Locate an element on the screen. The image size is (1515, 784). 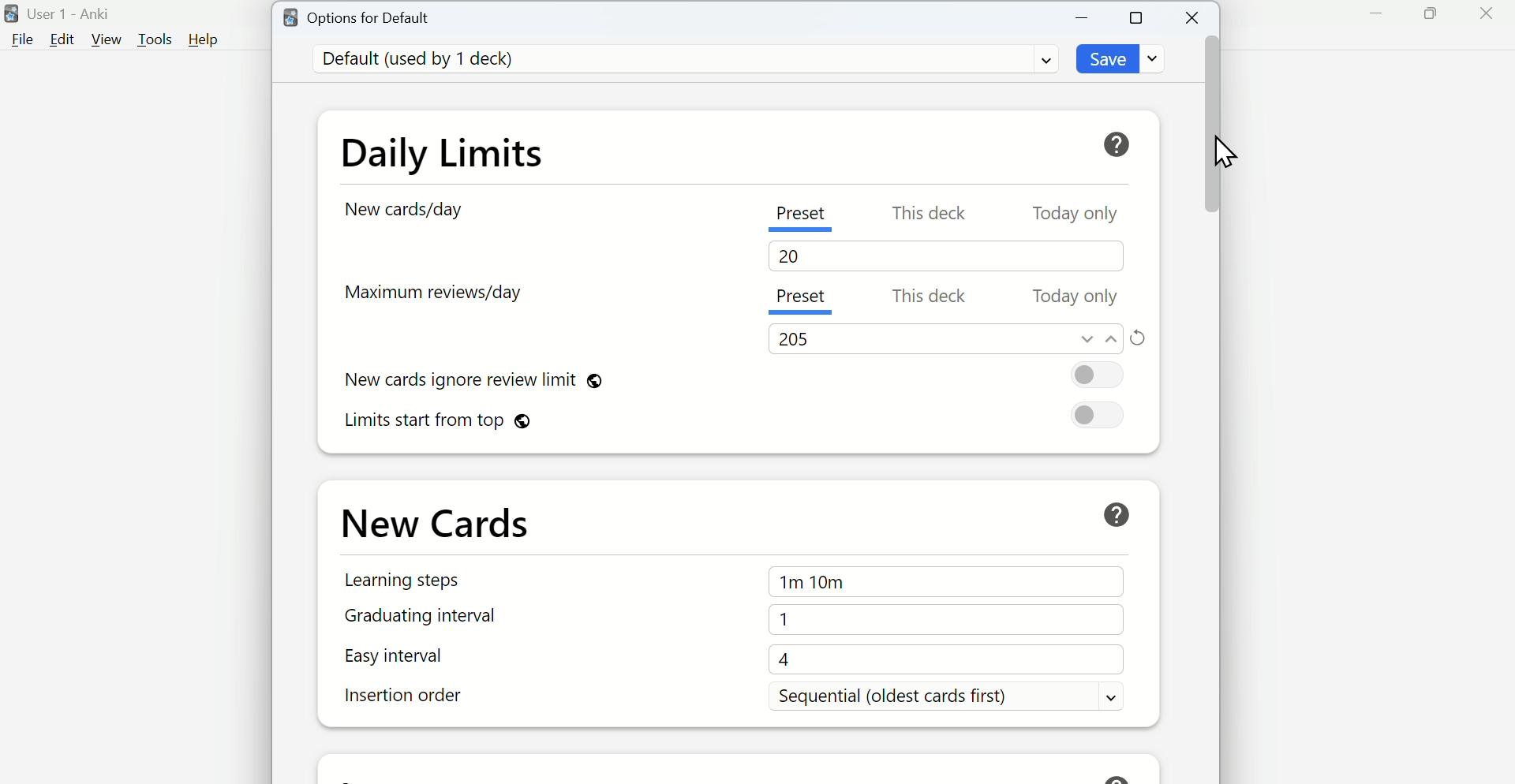
Preset is located at coordinates (801, 298).